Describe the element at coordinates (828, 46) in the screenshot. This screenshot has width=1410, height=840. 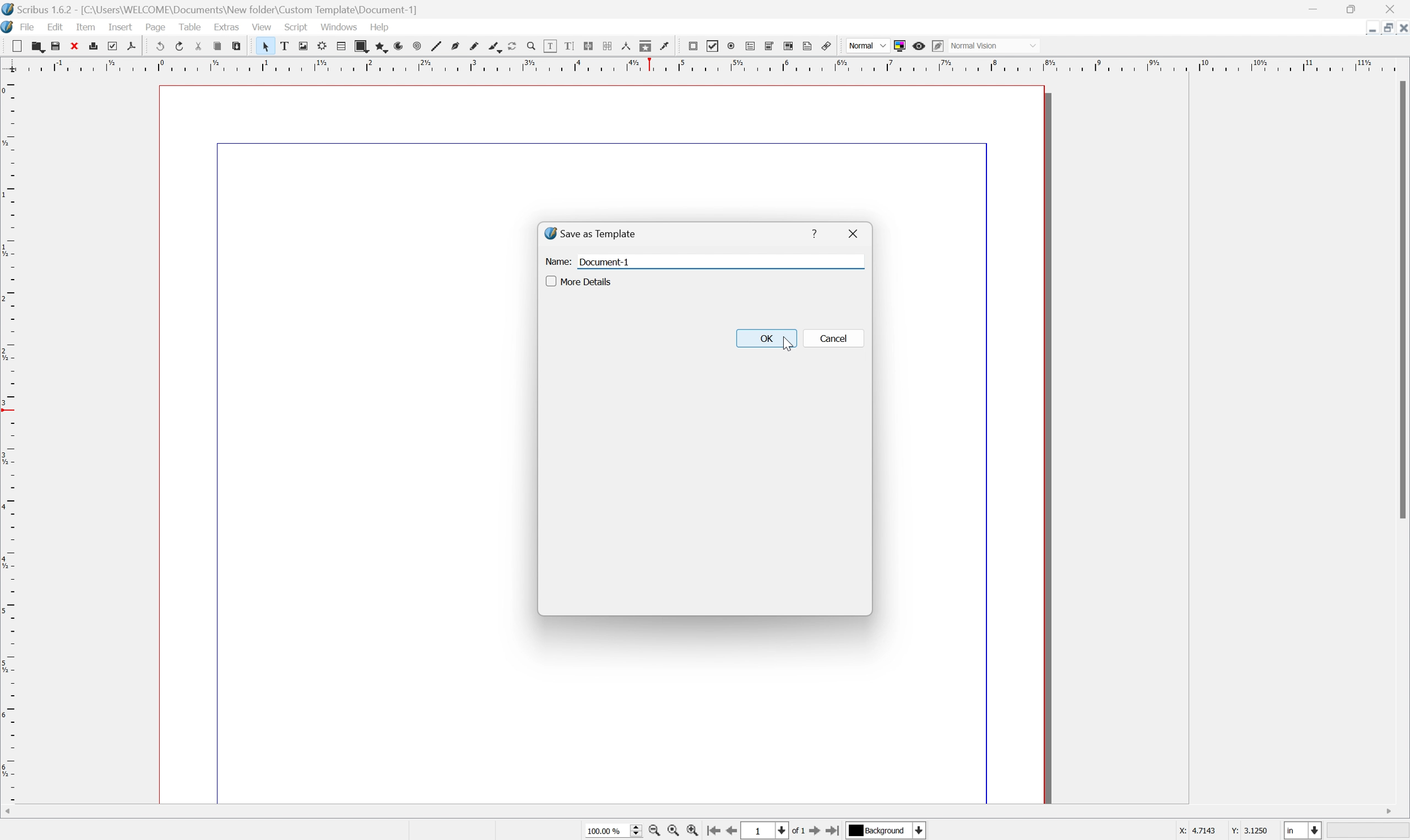
I see `Link annotation` at that location.